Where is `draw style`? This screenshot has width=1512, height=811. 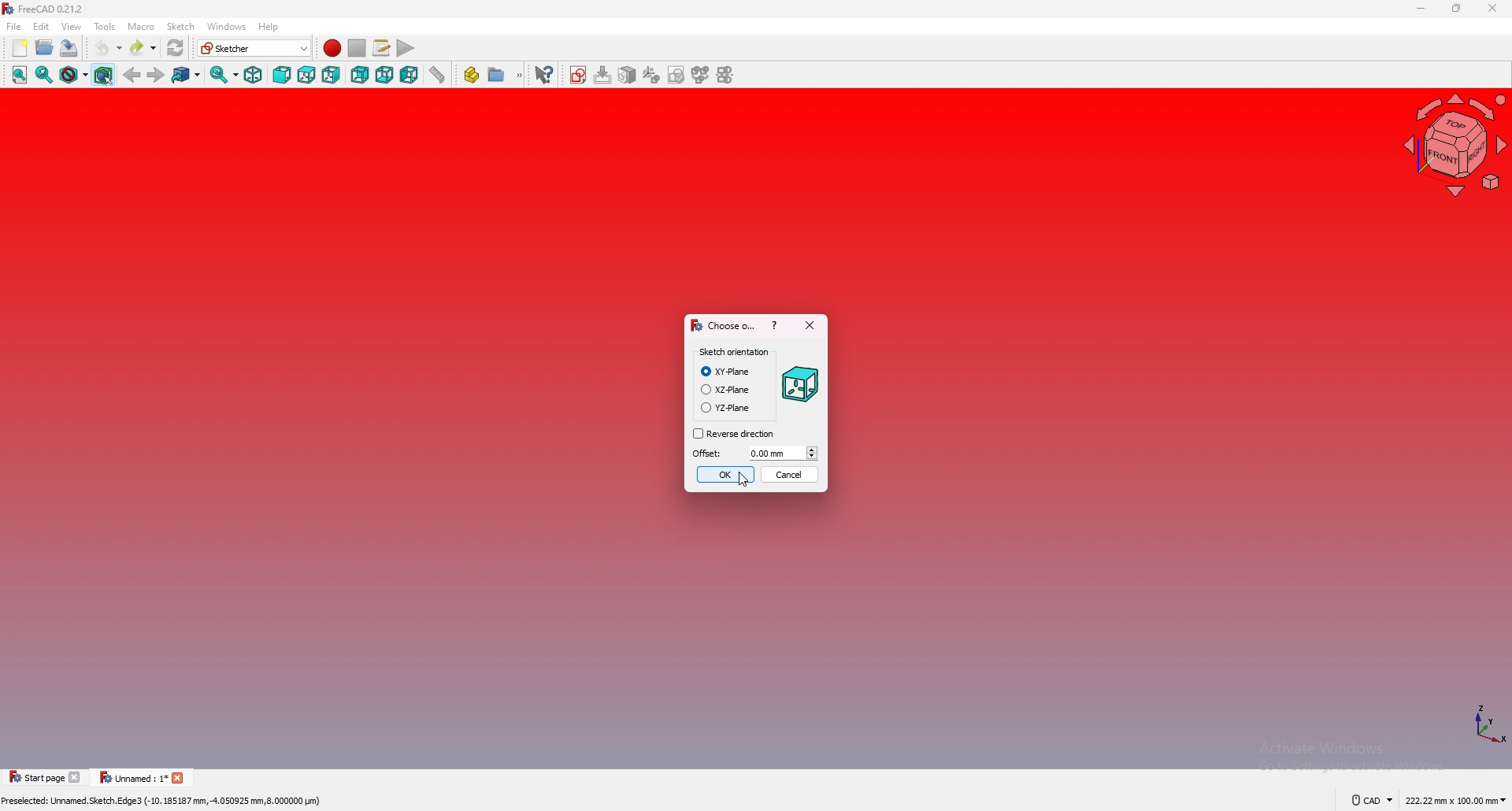
draw style is located at coordinates (74, 75).